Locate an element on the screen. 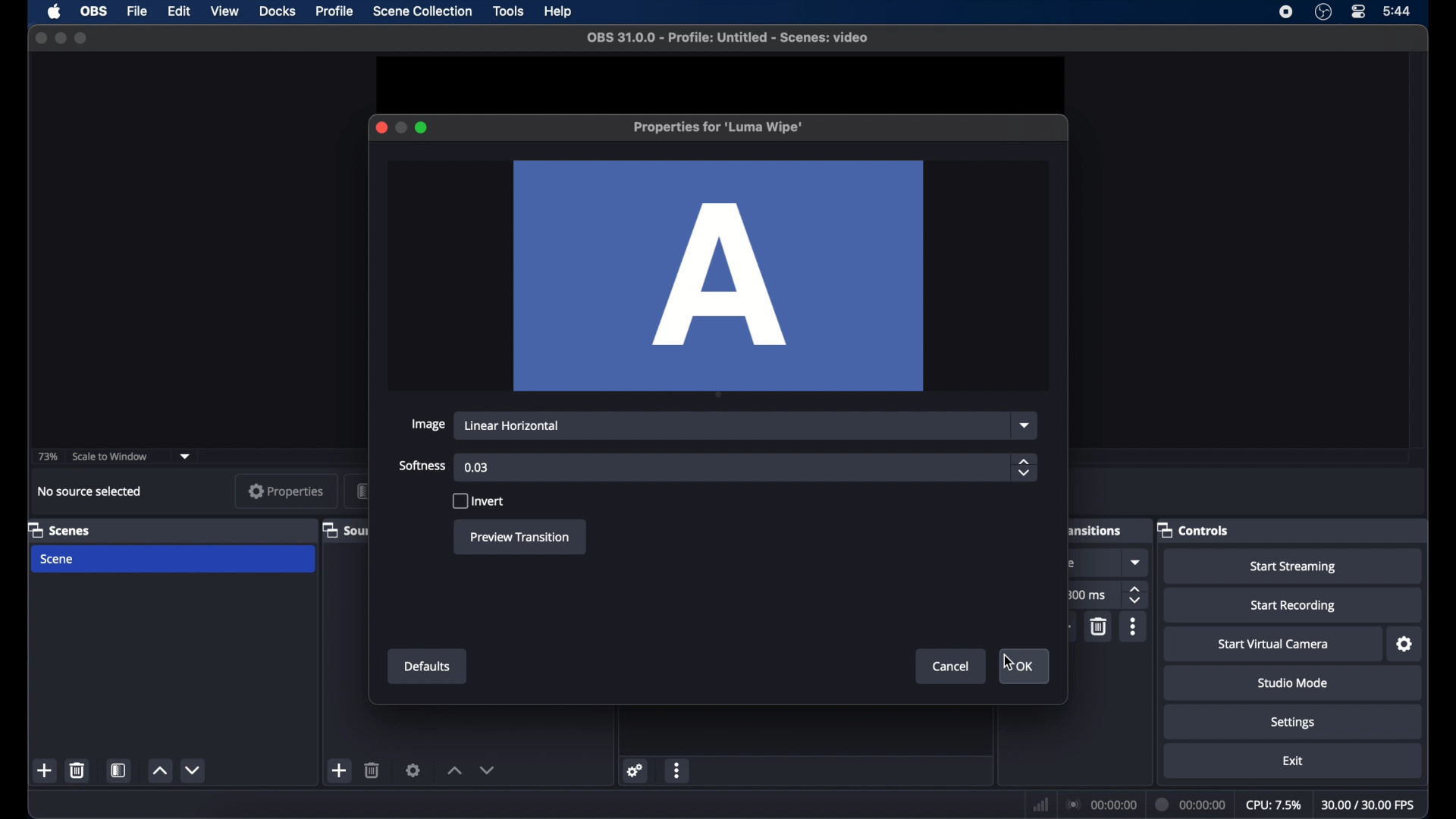  time is located at coordinates (1398, 12).